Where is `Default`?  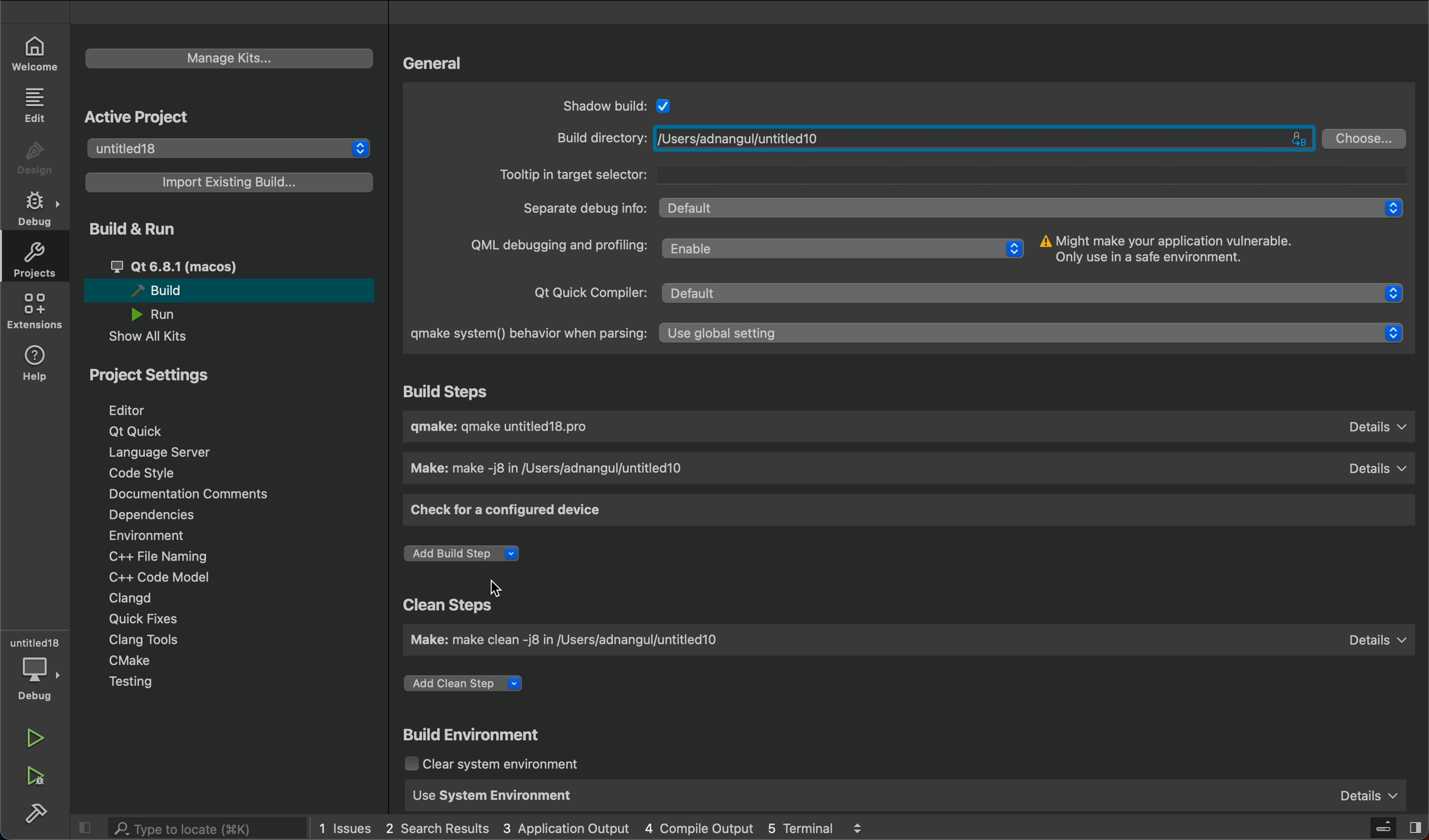 Default is located at coordinates (1038, 294).